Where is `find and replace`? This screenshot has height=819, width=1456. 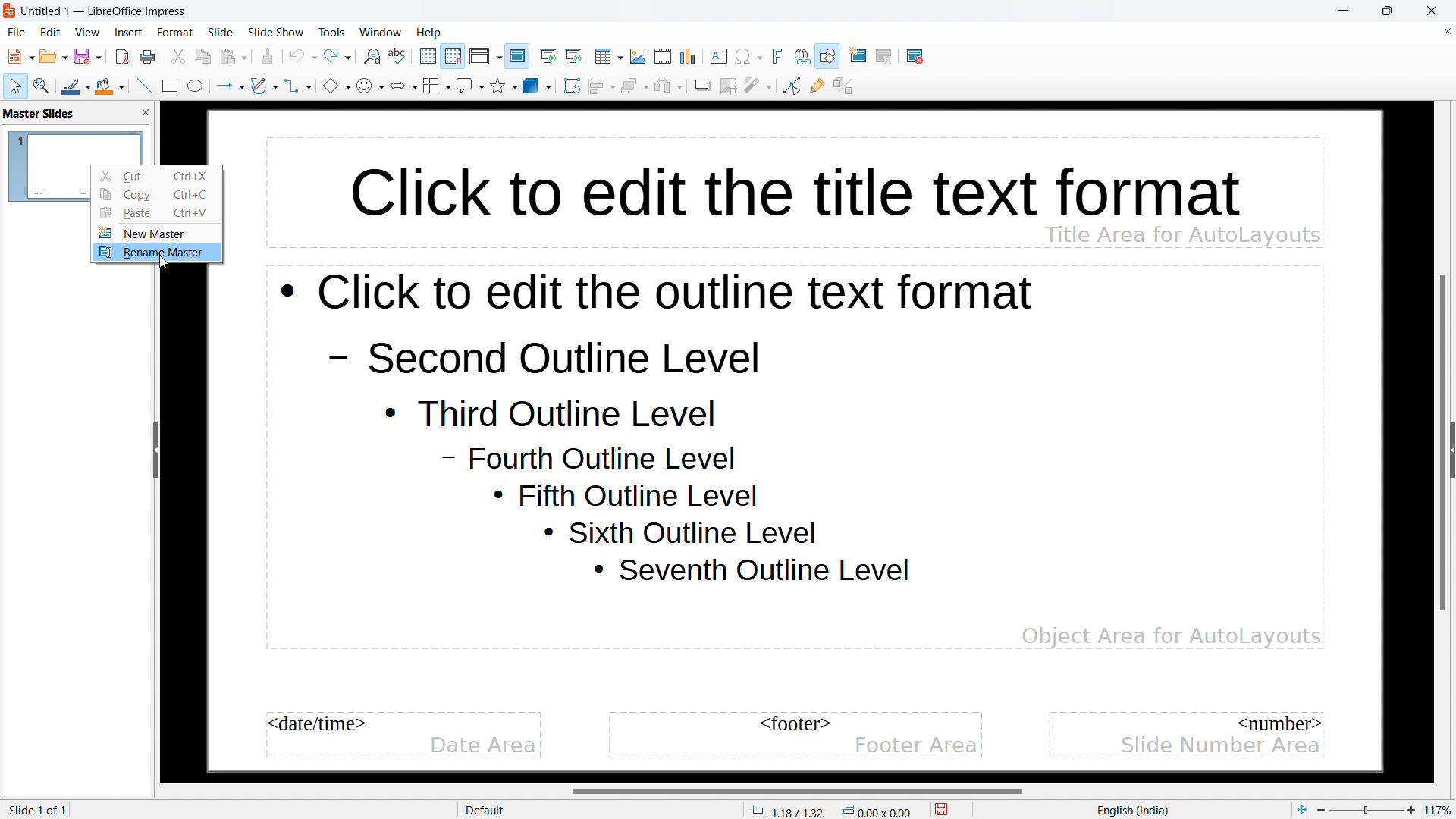
find and replace is located at coordinates (372, 57).